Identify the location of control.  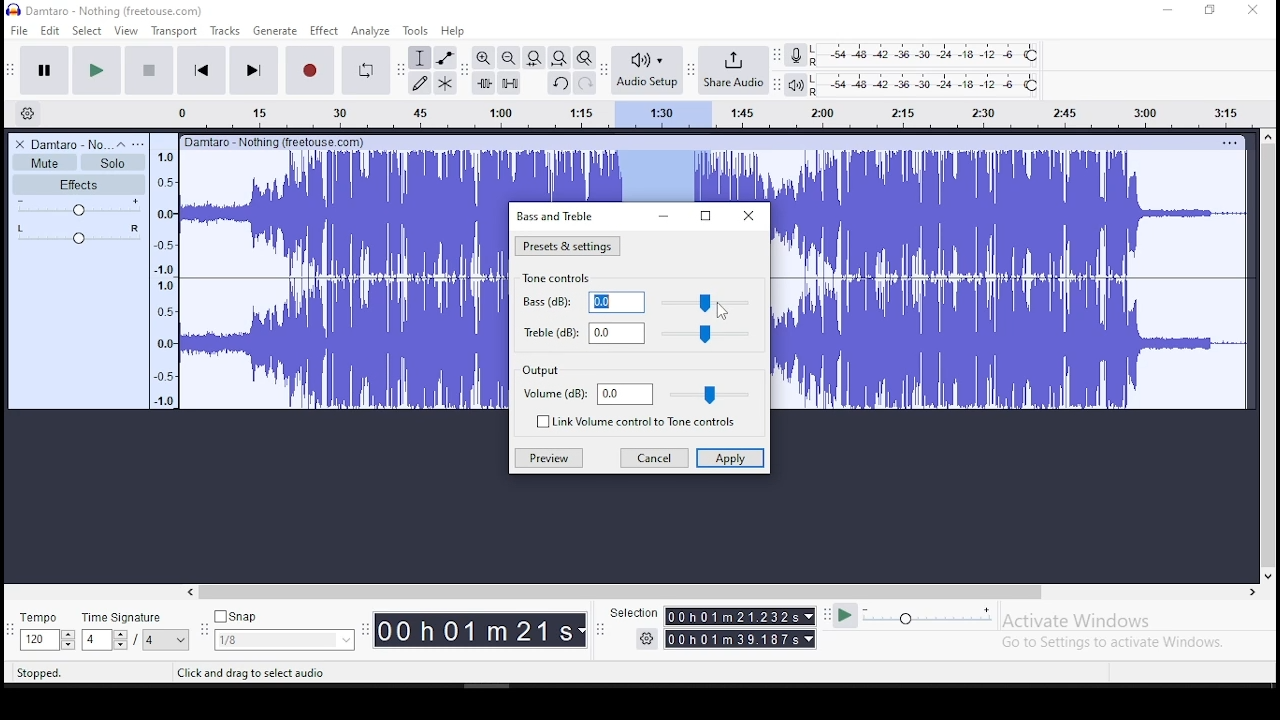
(708, 335).